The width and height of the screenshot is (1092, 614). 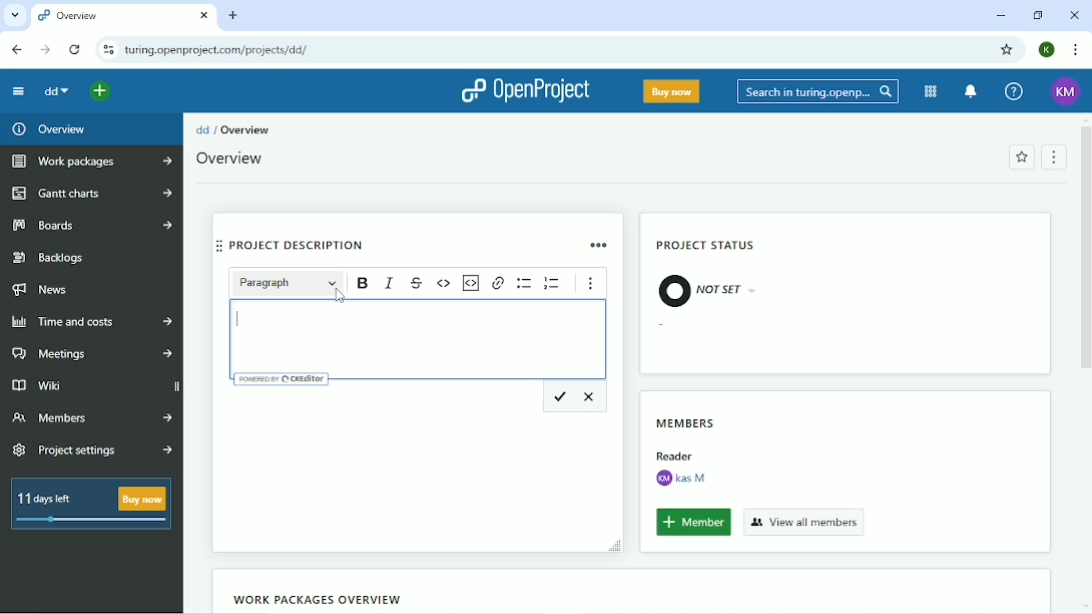 I want to click on Minimize, so click(x=999, y=17).